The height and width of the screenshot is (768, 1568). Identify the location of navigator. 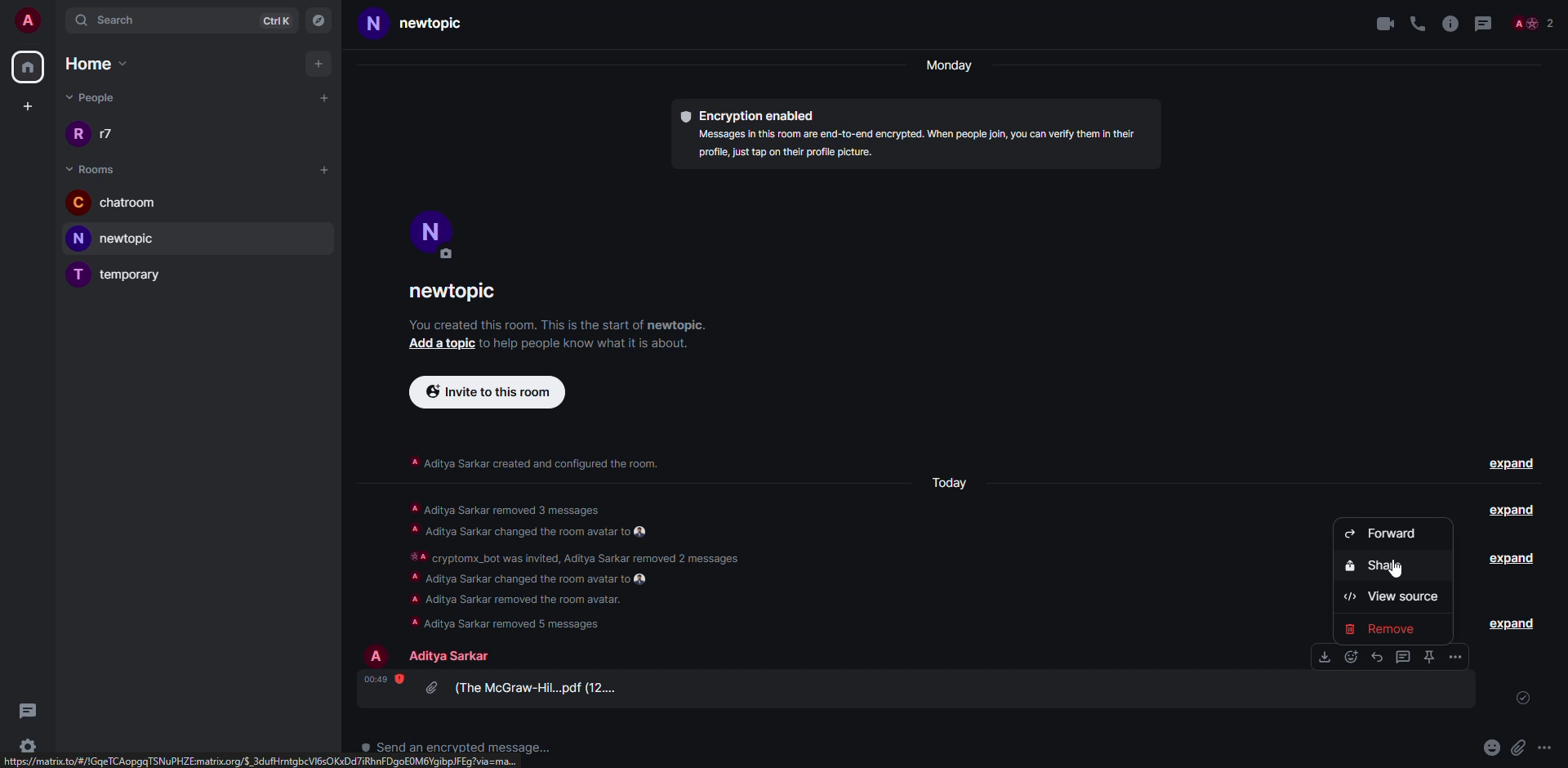
(318, 19).